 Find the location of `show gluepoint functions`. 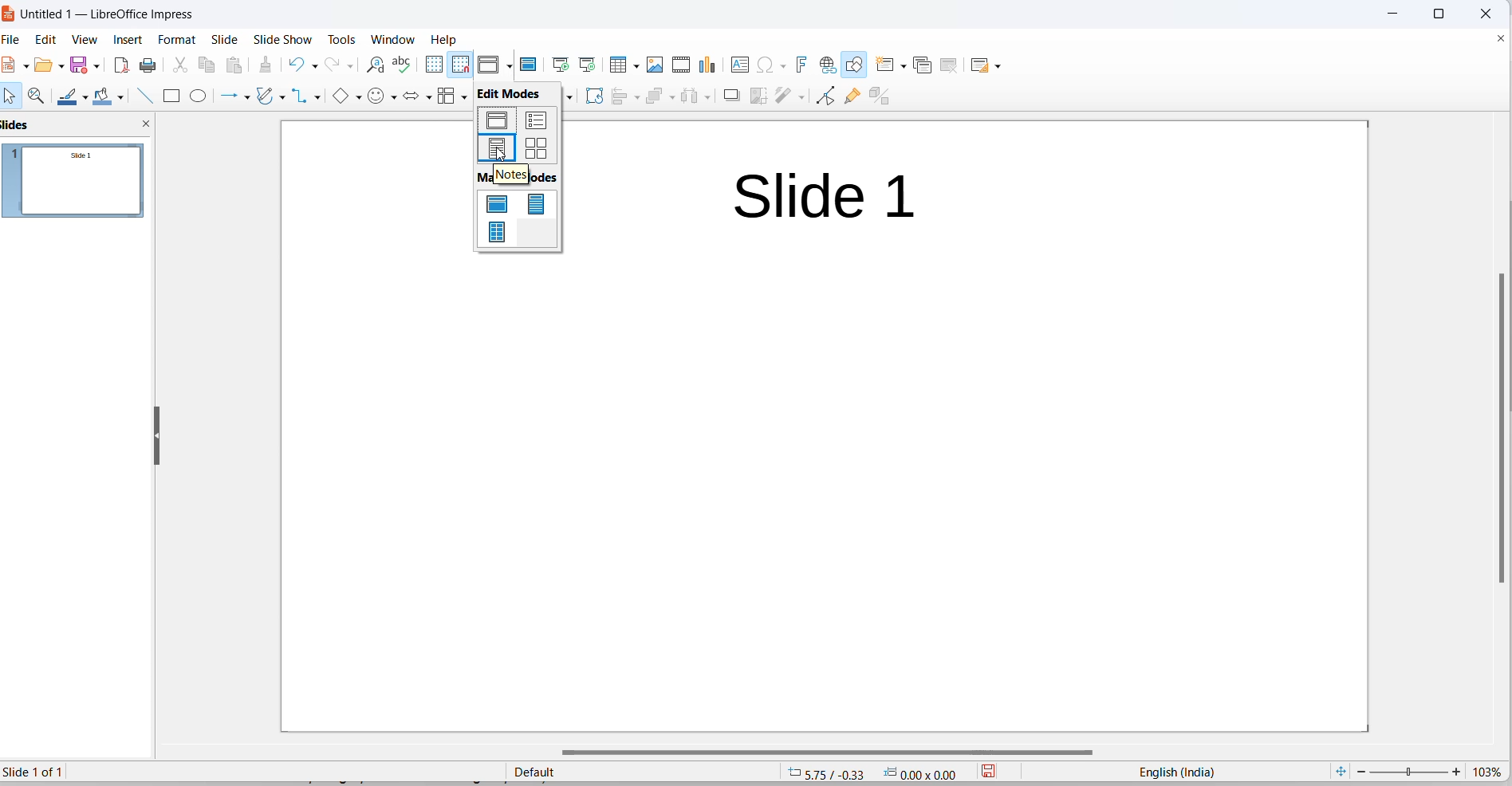

show gluepoint functions is located at coordinates (854, 98).